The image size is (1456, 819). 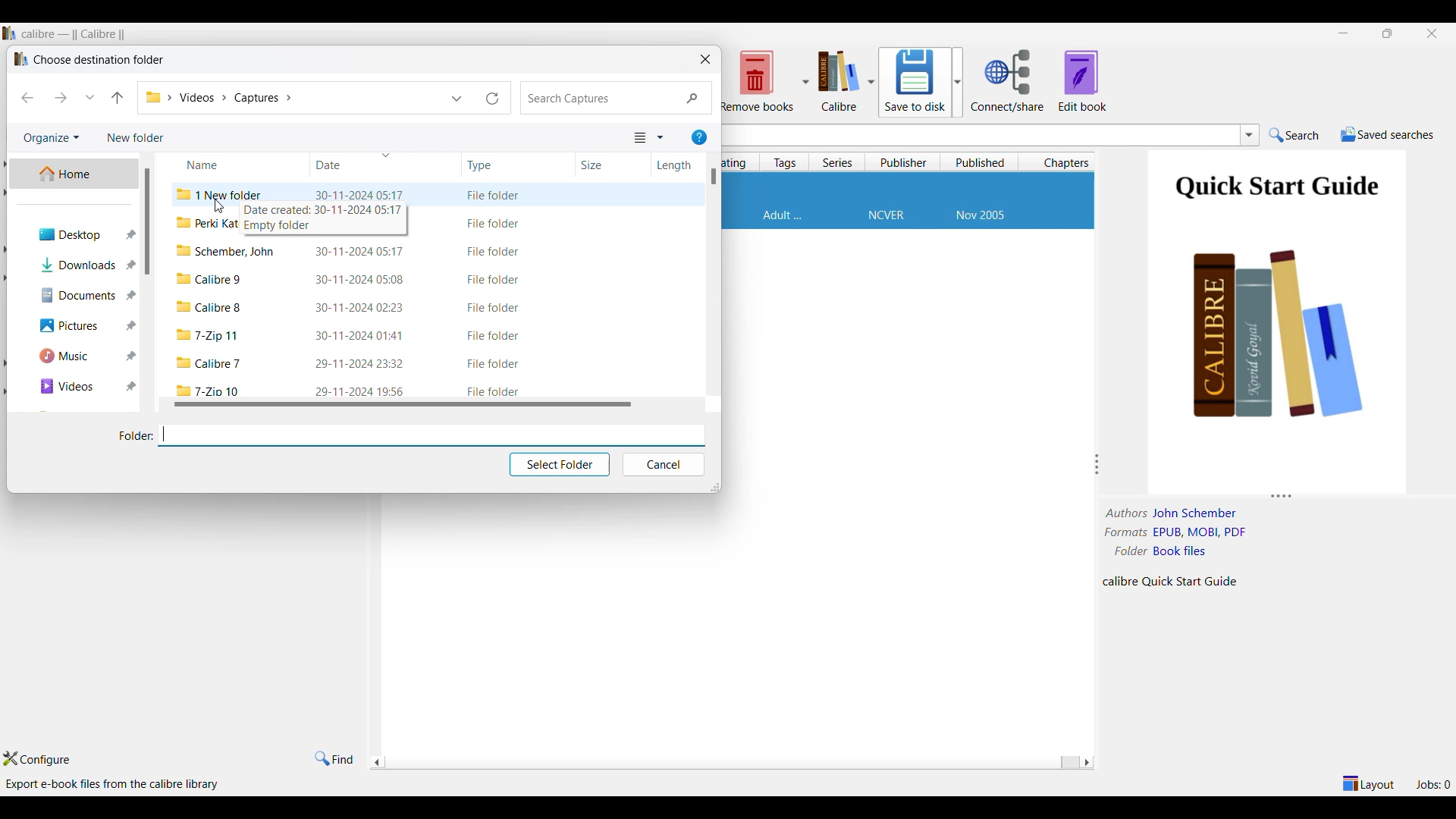 What do you see at coordinates (1276, 190) in the screenshot?
I see `Quick Start Guide` at bounding box center [1276, 190].